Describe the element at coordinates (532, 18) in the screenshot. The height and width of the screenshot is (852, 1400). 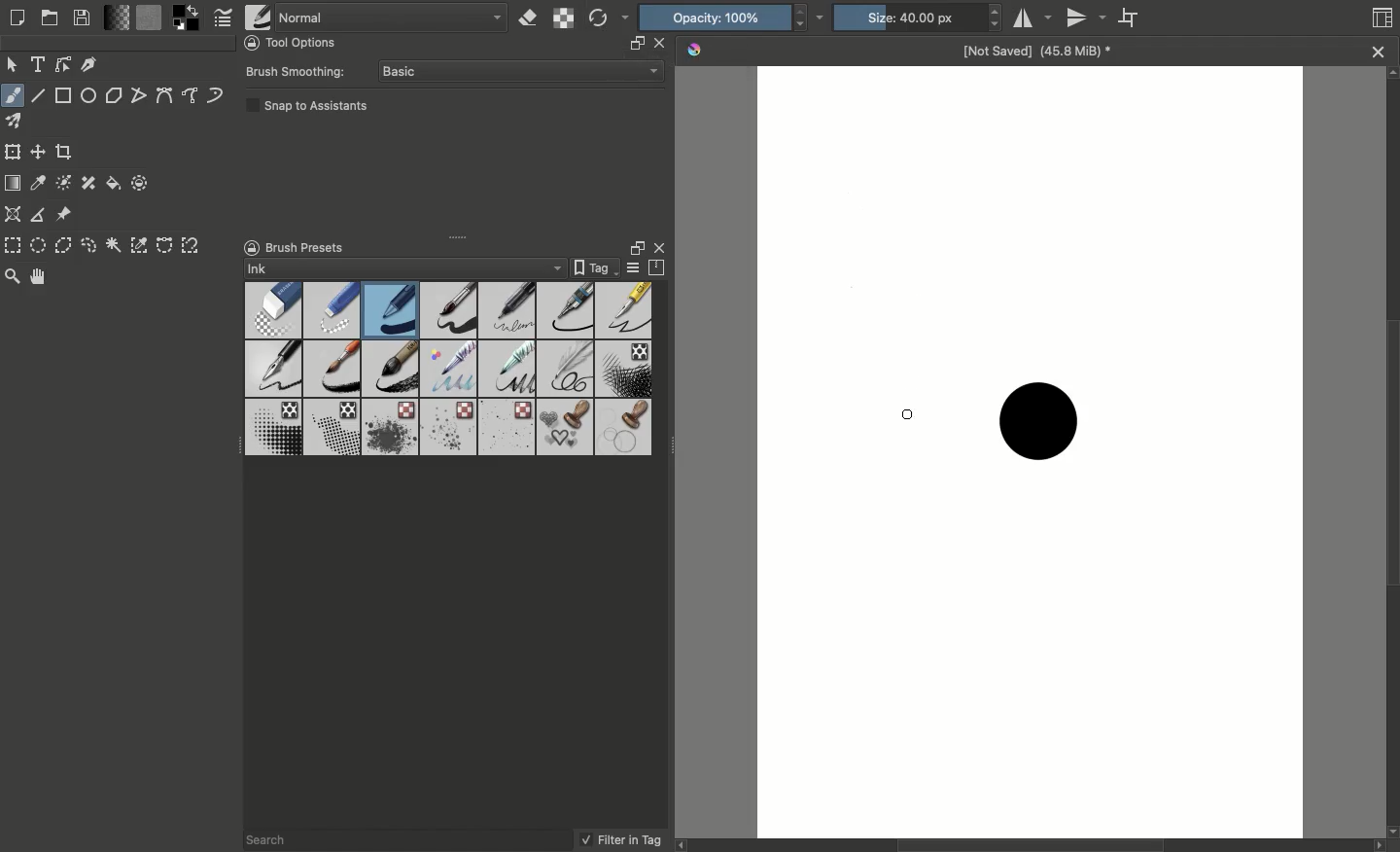
I see `Set eraser mode` at that location.